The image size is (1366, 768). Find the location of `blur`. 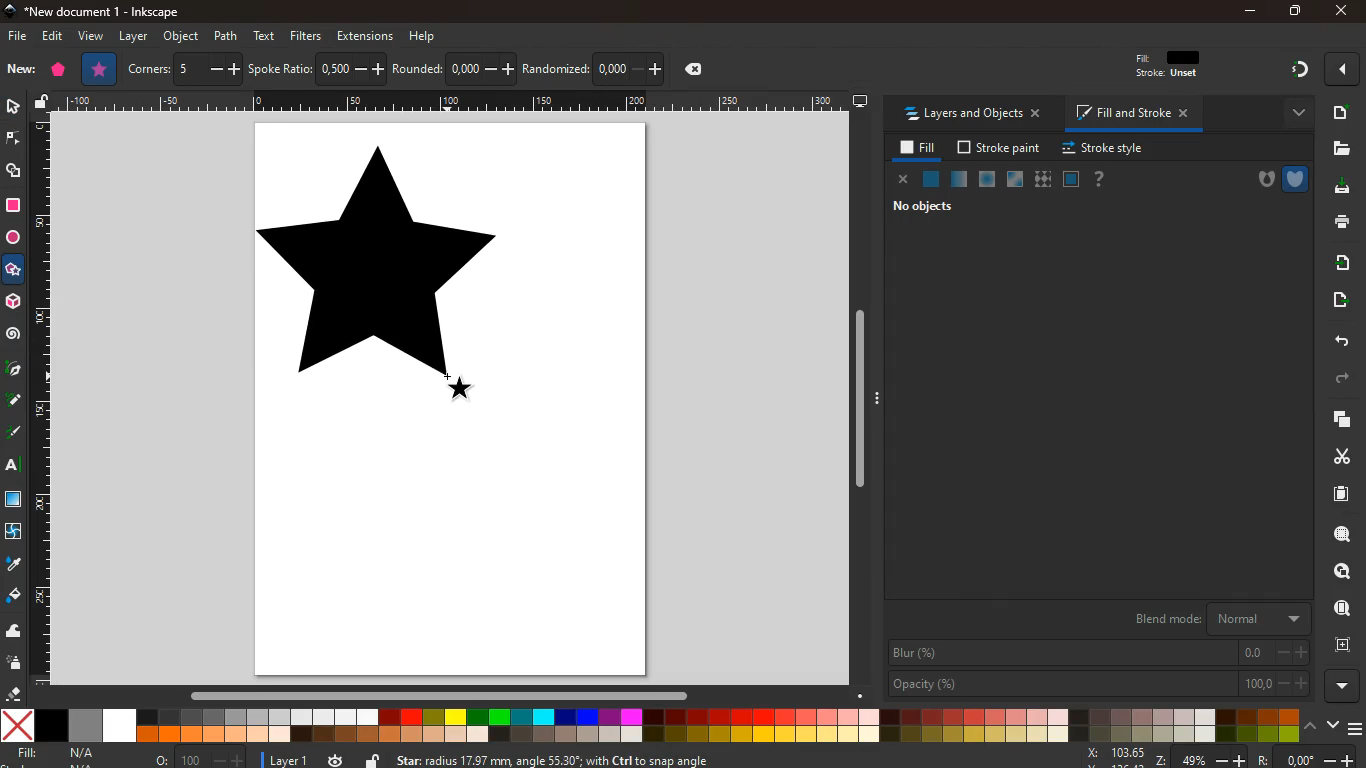

blur is located at coordinates (1095, 653).